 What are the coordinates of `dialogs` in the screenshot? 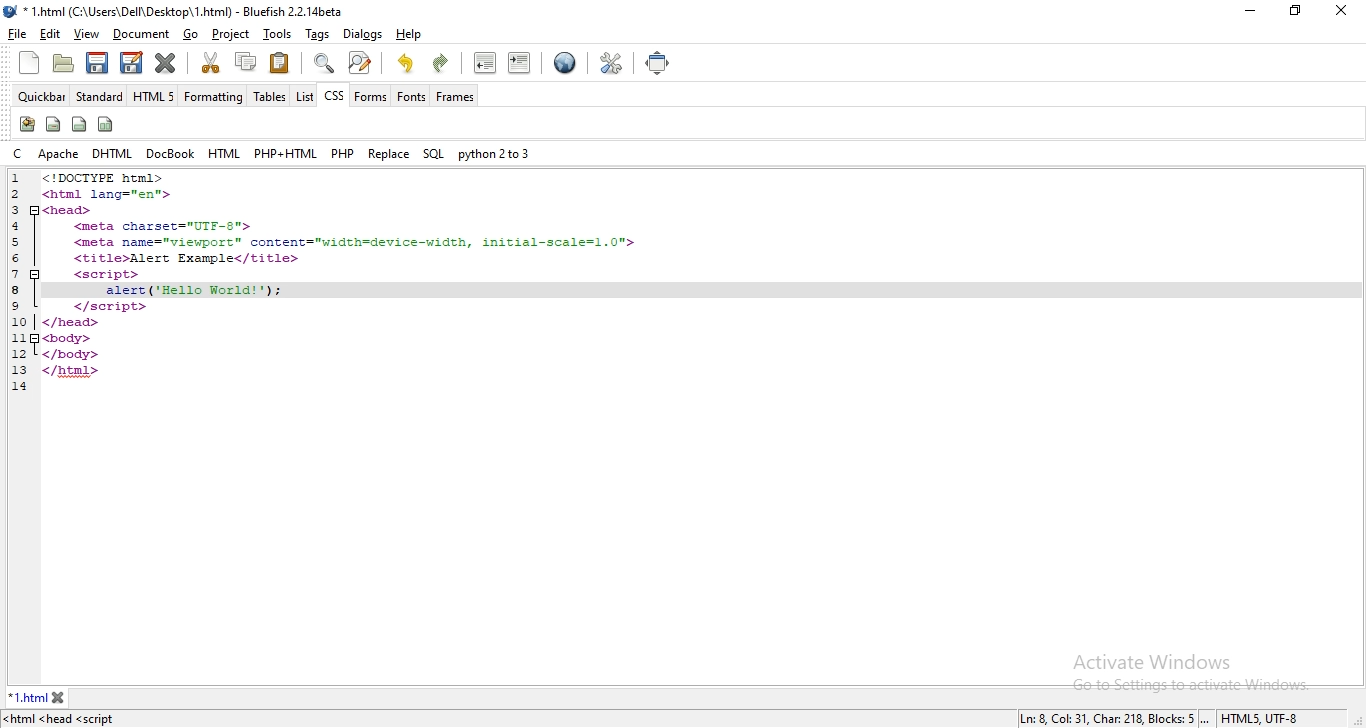 It's located at (361, 34).